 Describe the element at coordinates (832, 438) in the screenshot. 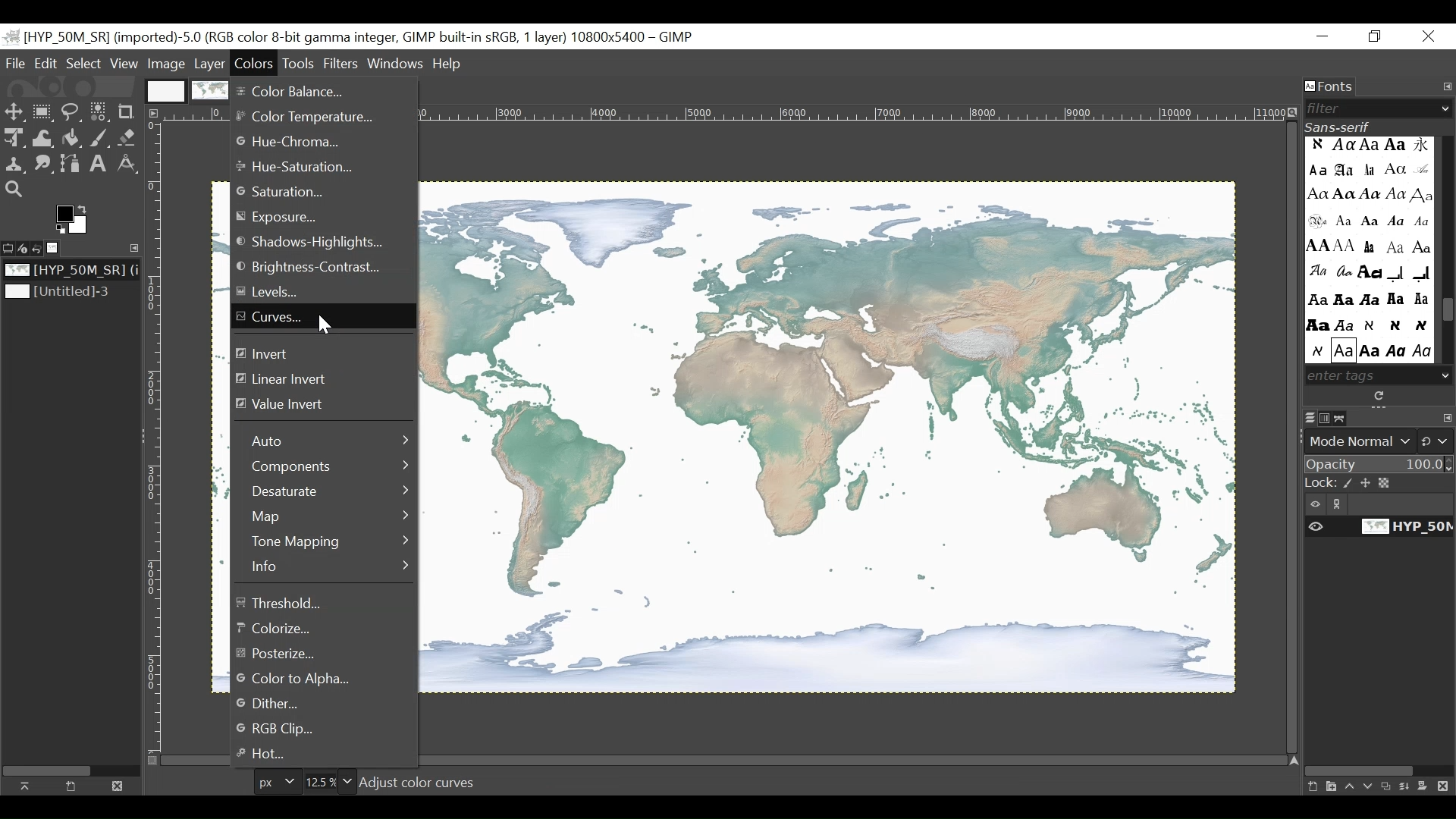

I see `Image` at that location.